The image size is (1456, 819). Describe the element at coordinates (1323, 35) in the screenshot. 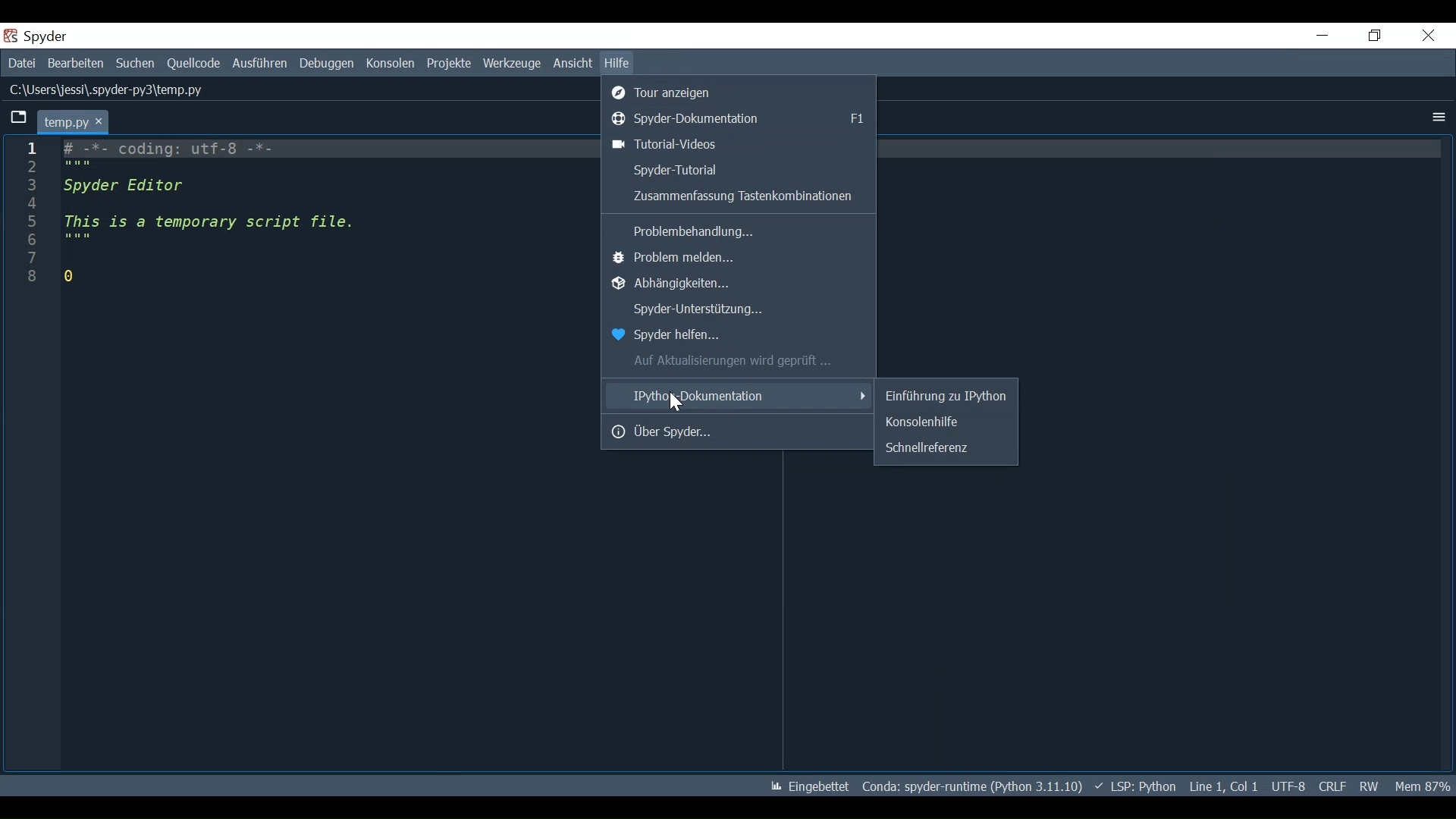

I see `Minimize` at that location.